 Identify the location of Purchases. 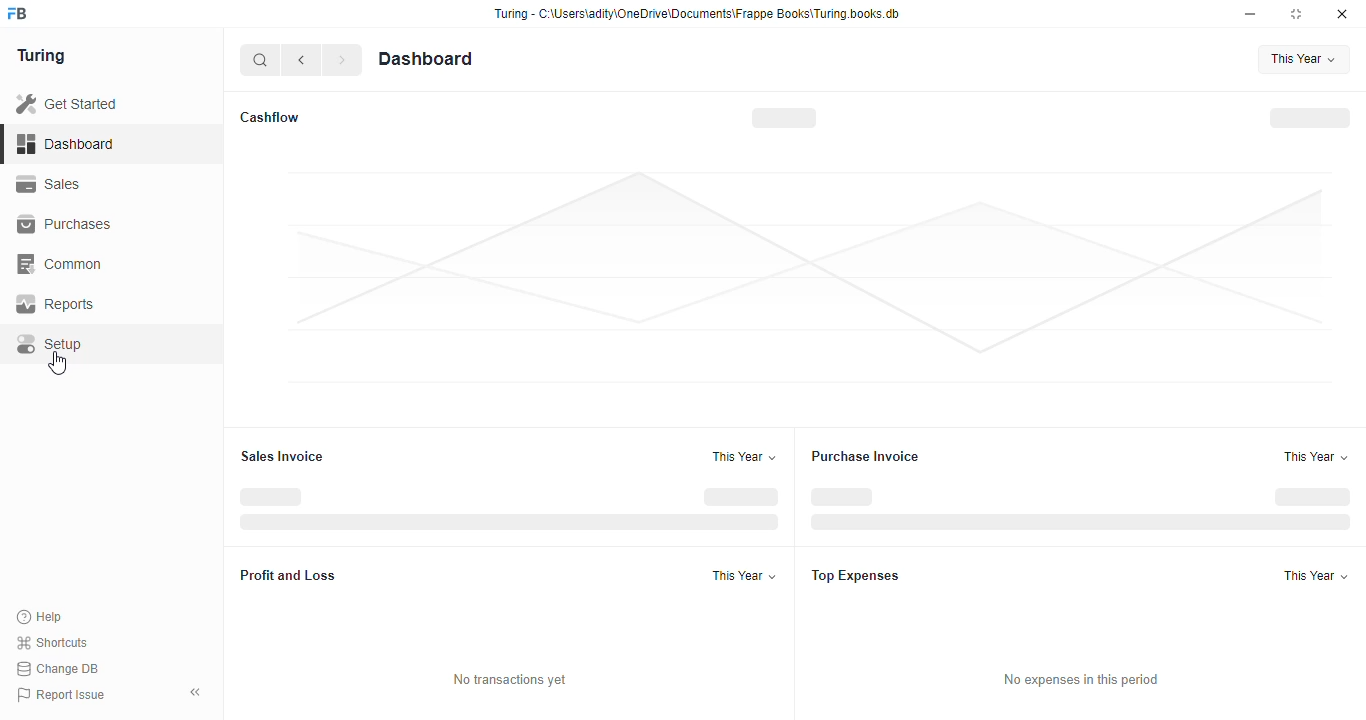
(99, 223).